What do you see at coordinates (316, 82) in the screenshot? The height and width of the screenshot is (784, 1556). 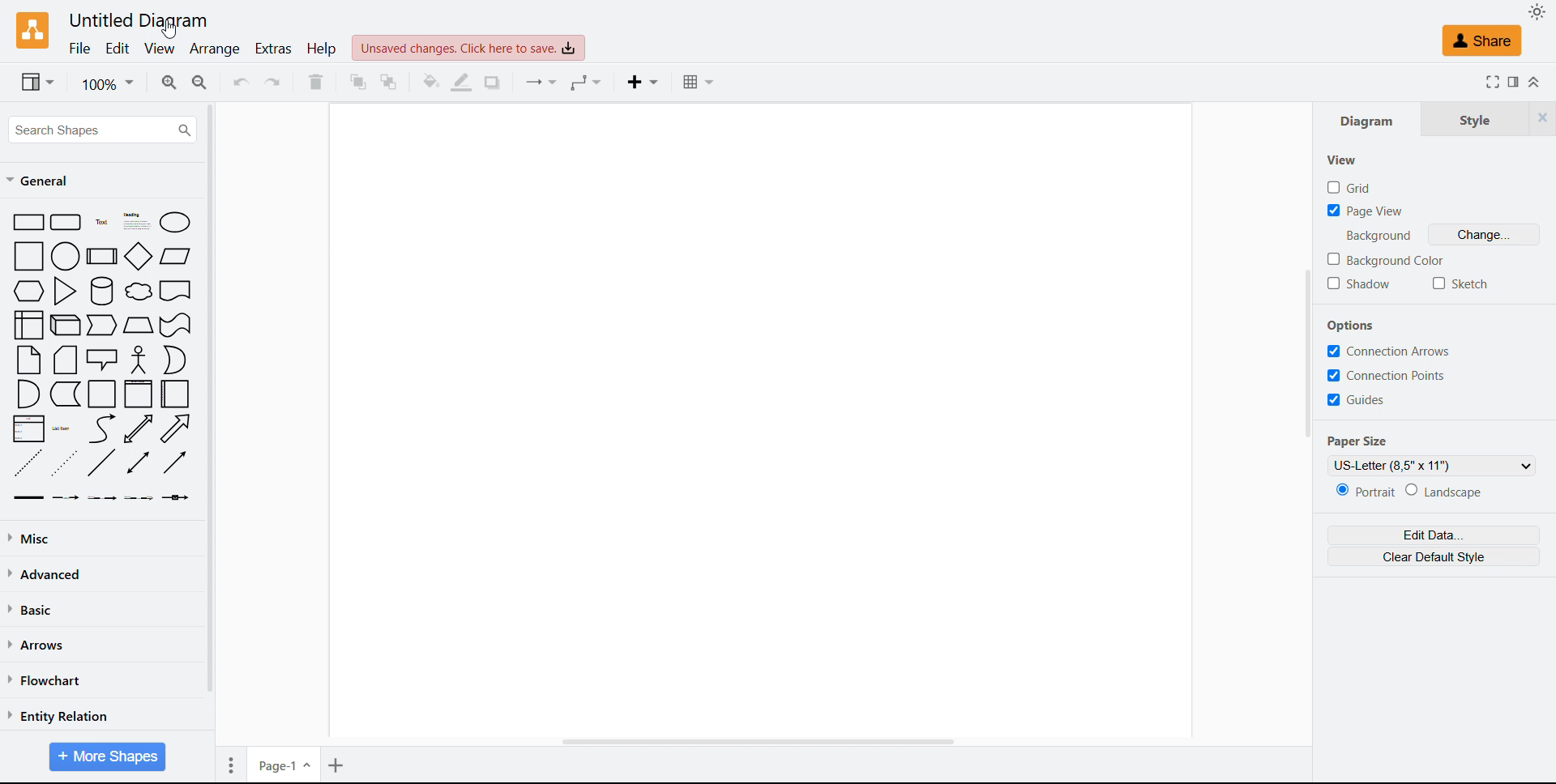 I see `Delete ` at bounding box center [316, 82].